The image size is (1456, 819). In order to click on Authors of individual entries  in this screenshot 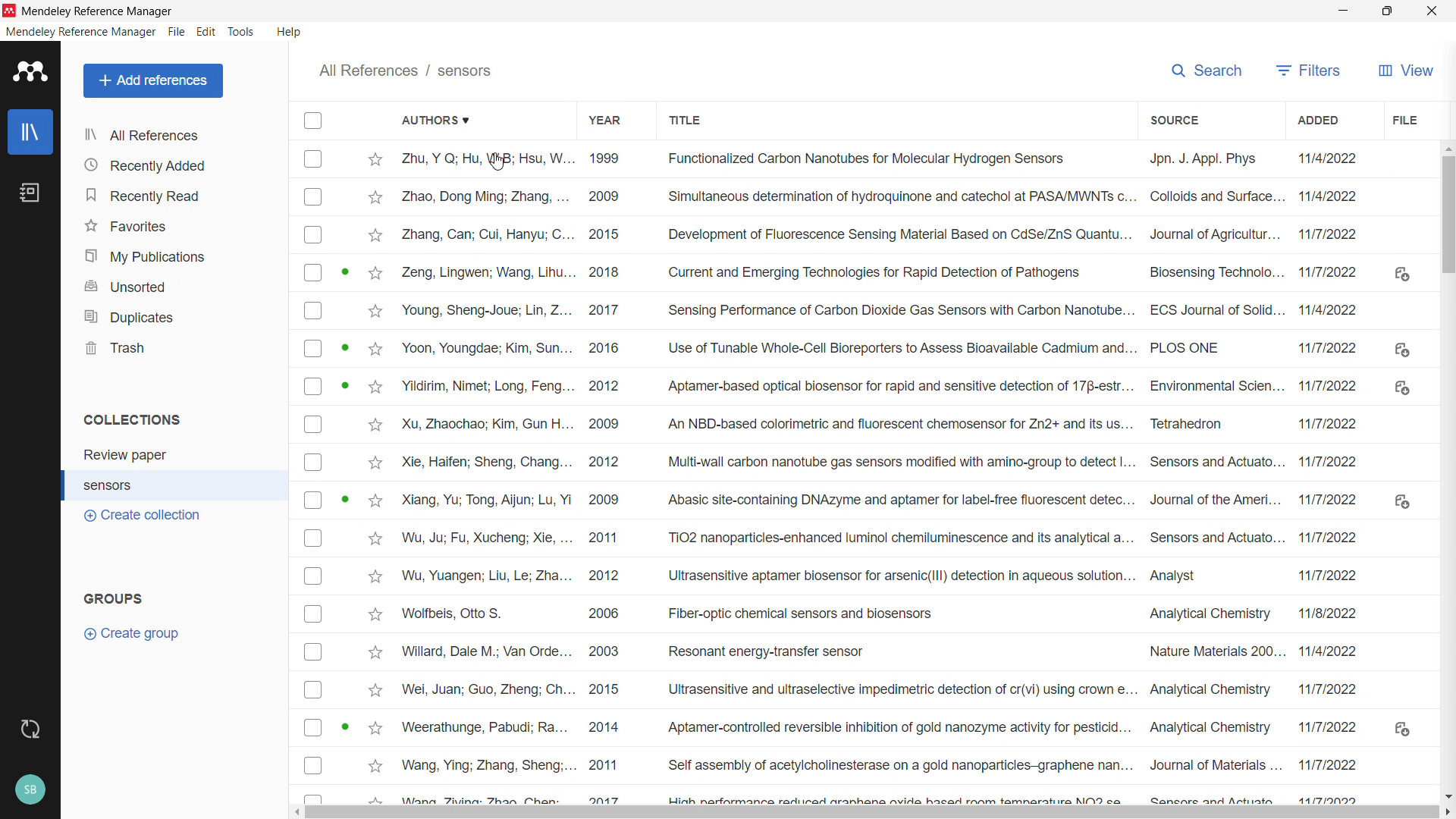, I will do `click(485, 475)`.